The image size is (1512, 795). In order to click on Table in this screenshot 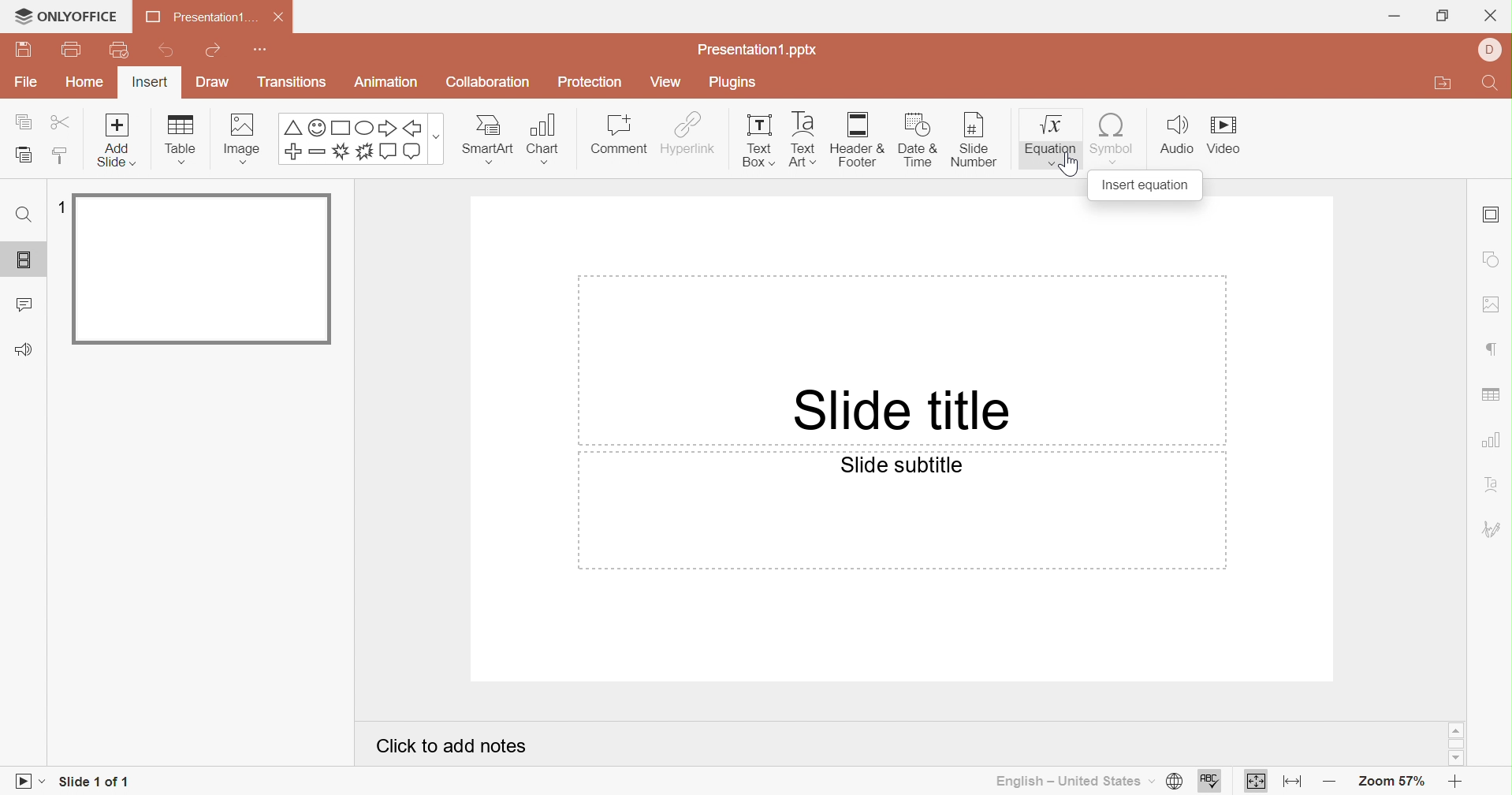, I will do `click(181, 140)`.